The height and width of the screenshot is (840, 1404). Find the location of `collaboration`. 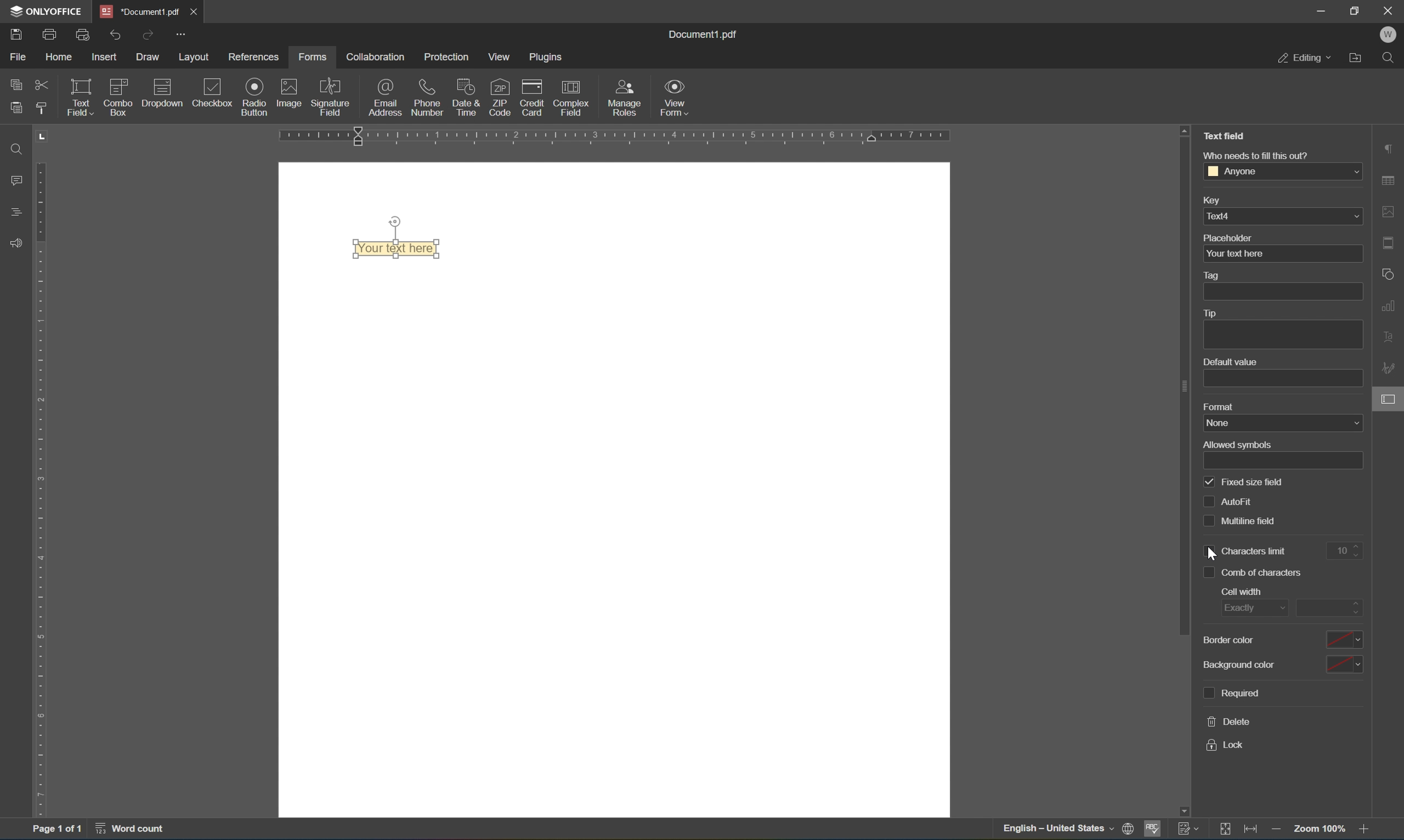

collaboration is located at coordinates (377, 57).